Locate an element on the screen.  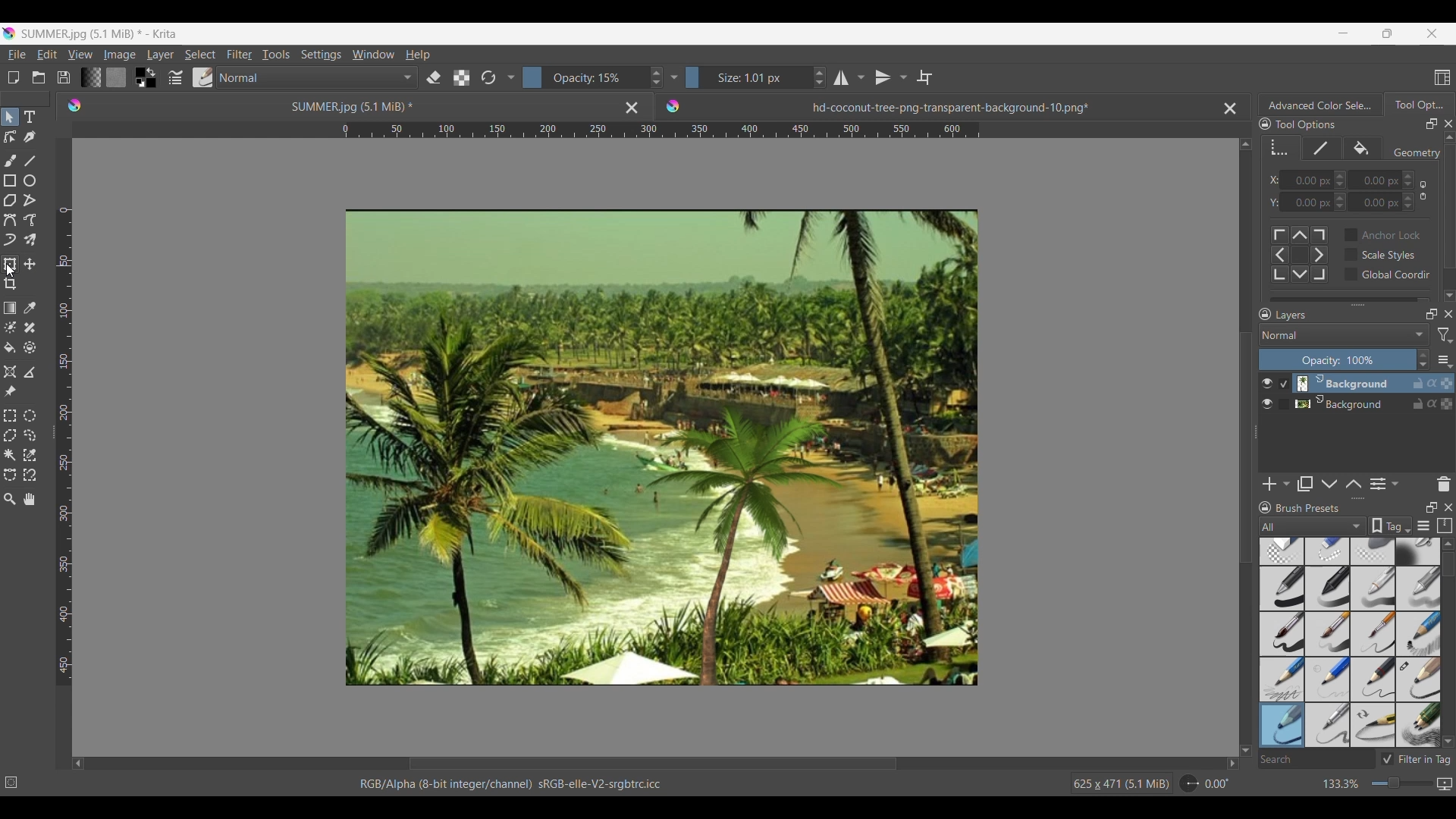
pencil 5-tilted is located at coordinates (1329, 724).